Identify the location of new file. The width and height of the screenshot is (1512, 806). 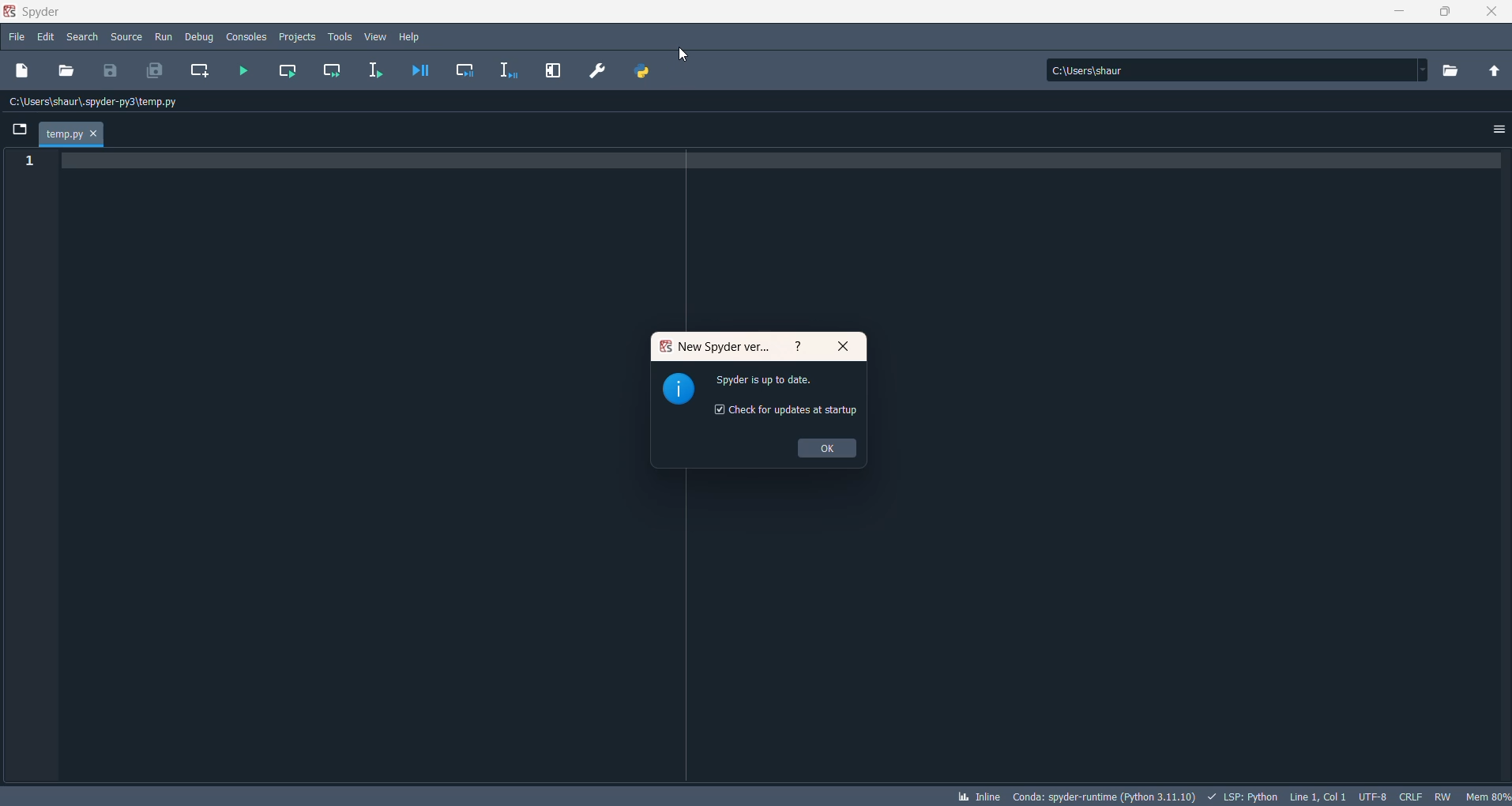
(28, 70).